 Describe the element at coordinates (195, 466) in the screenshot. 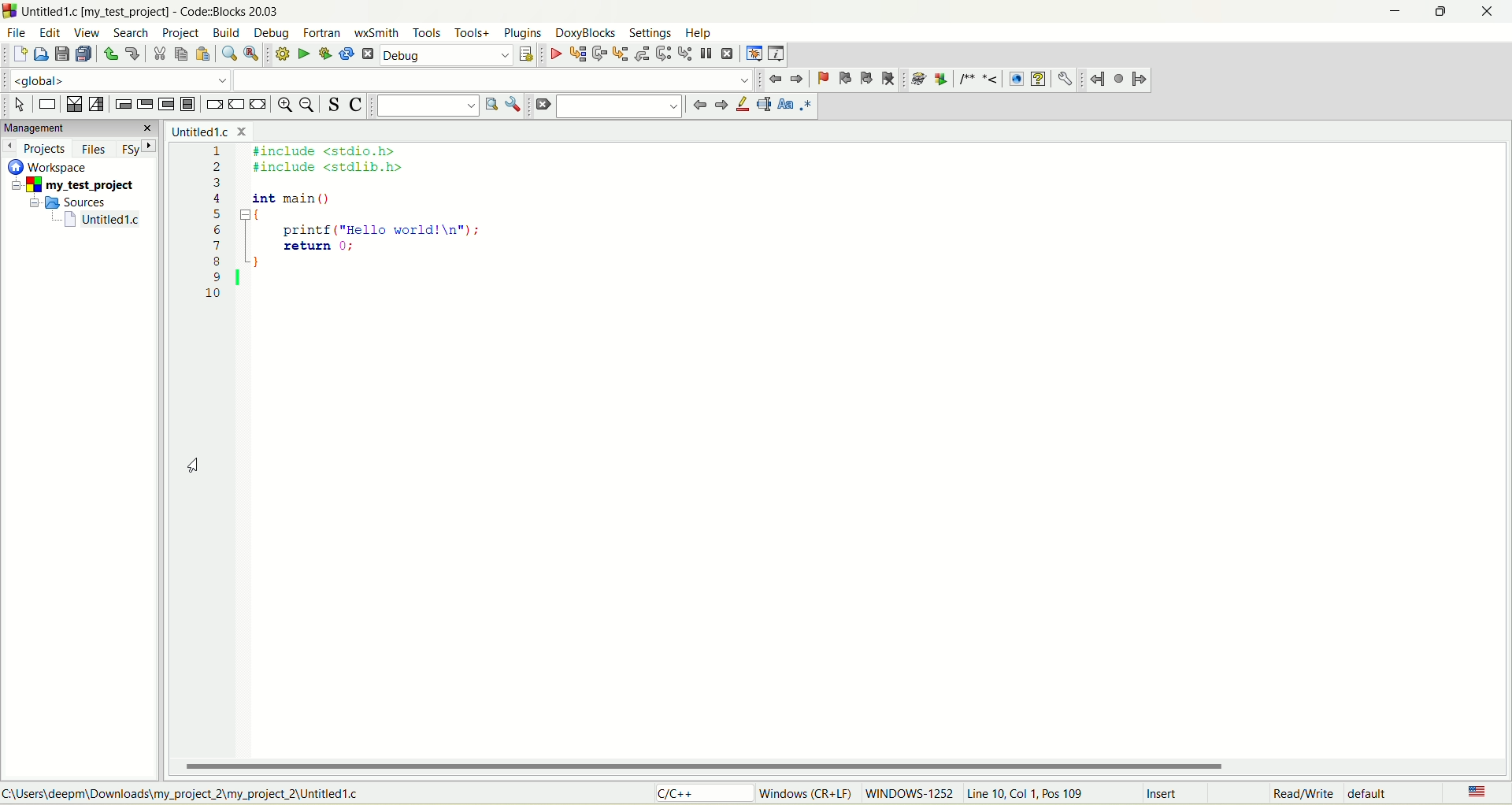

I see `Cursor` at that location.